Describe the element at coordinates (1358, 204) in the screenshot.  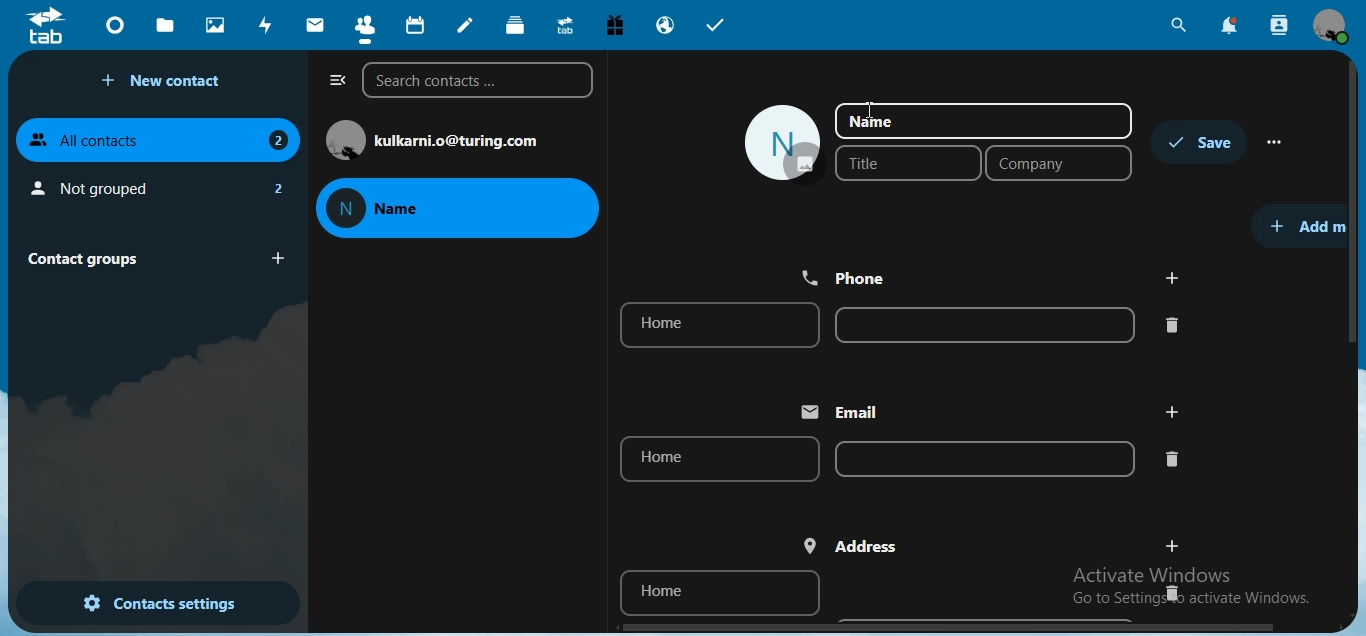
I see `scroll bar` at that location.